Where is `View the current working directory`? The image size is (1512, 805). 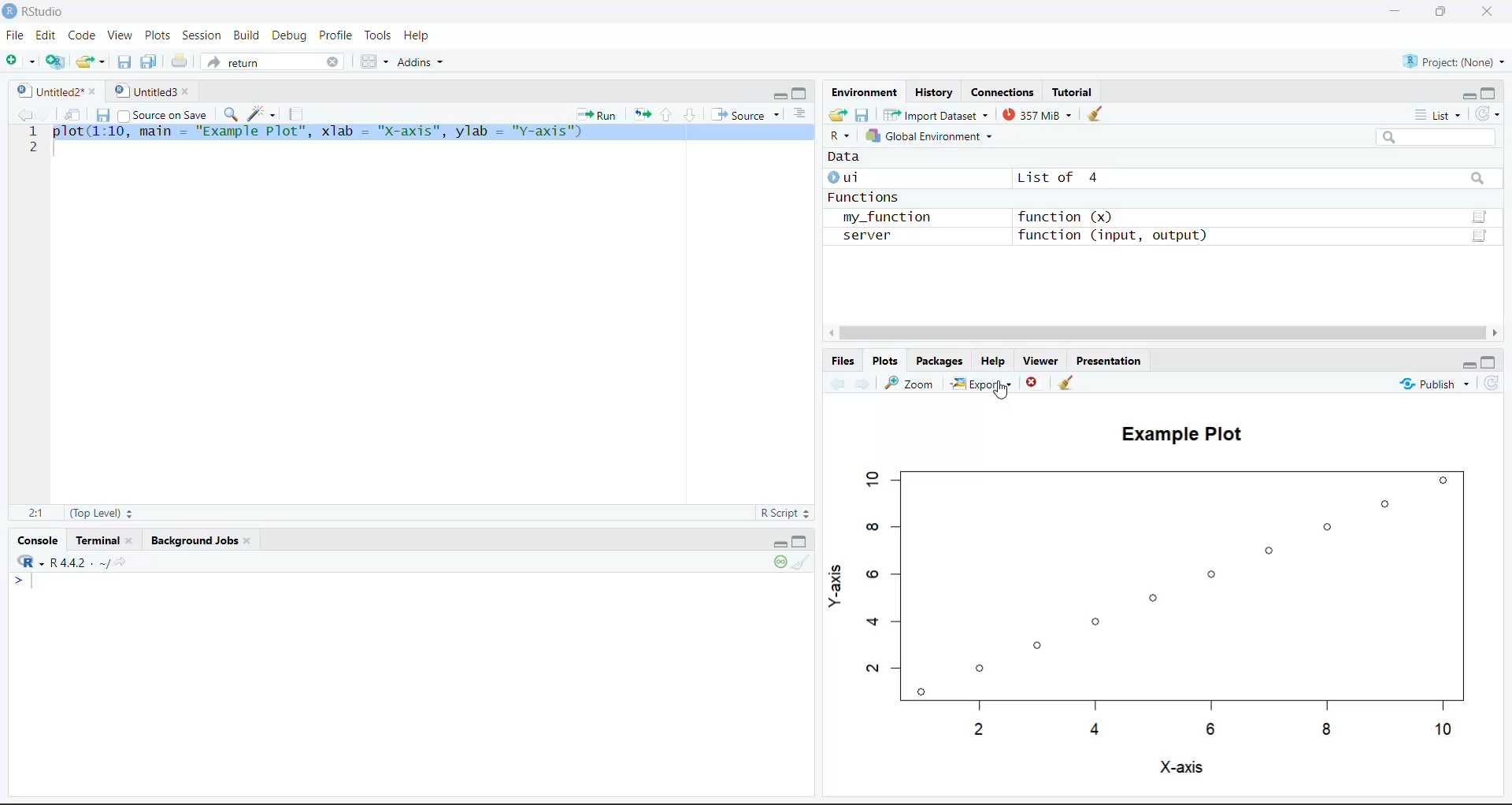 View the current working directory is located at coordinates (123, 562).